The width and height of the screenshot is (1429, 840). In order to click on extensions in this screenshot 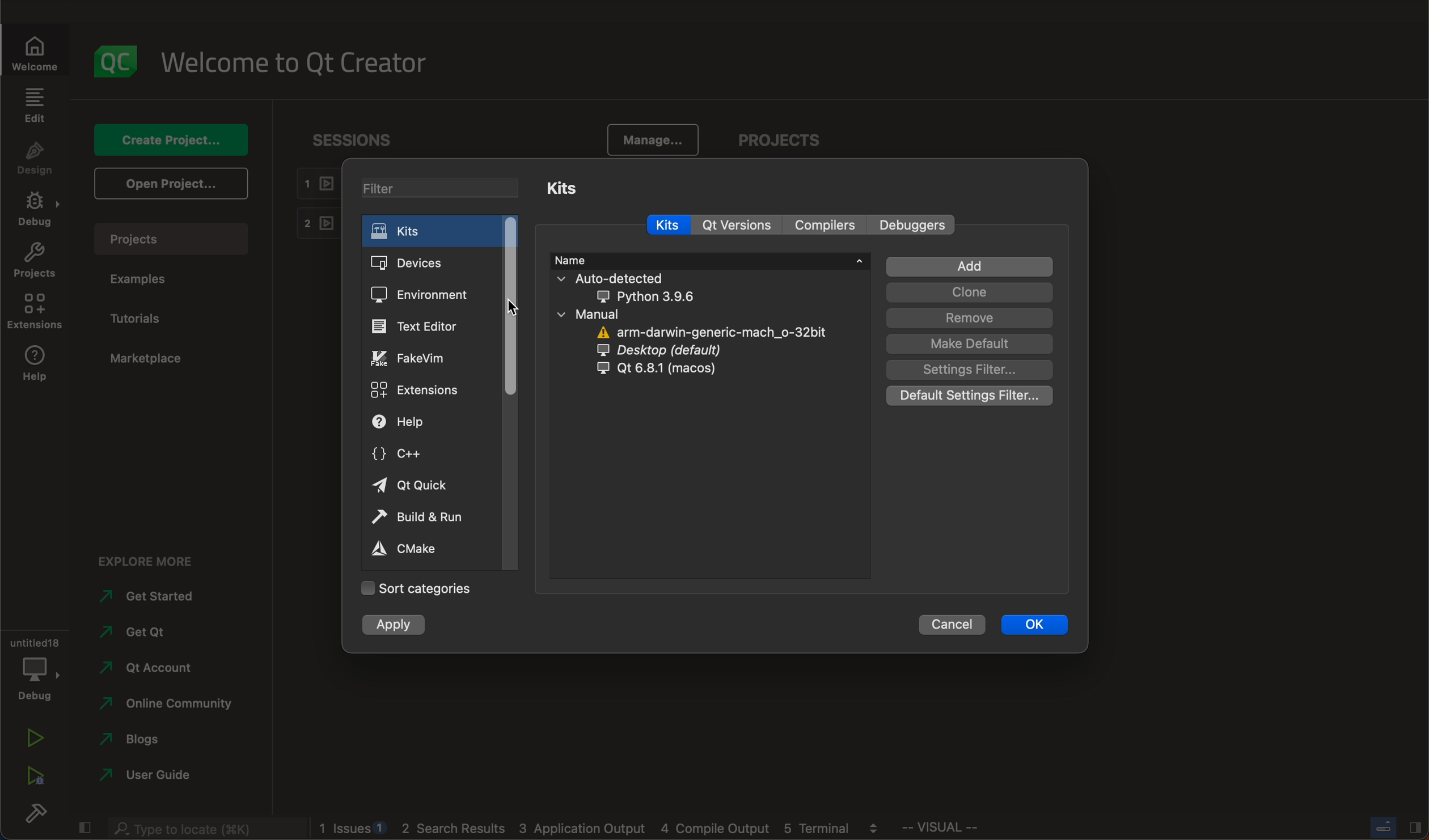, I will do `click(36, 312)`.